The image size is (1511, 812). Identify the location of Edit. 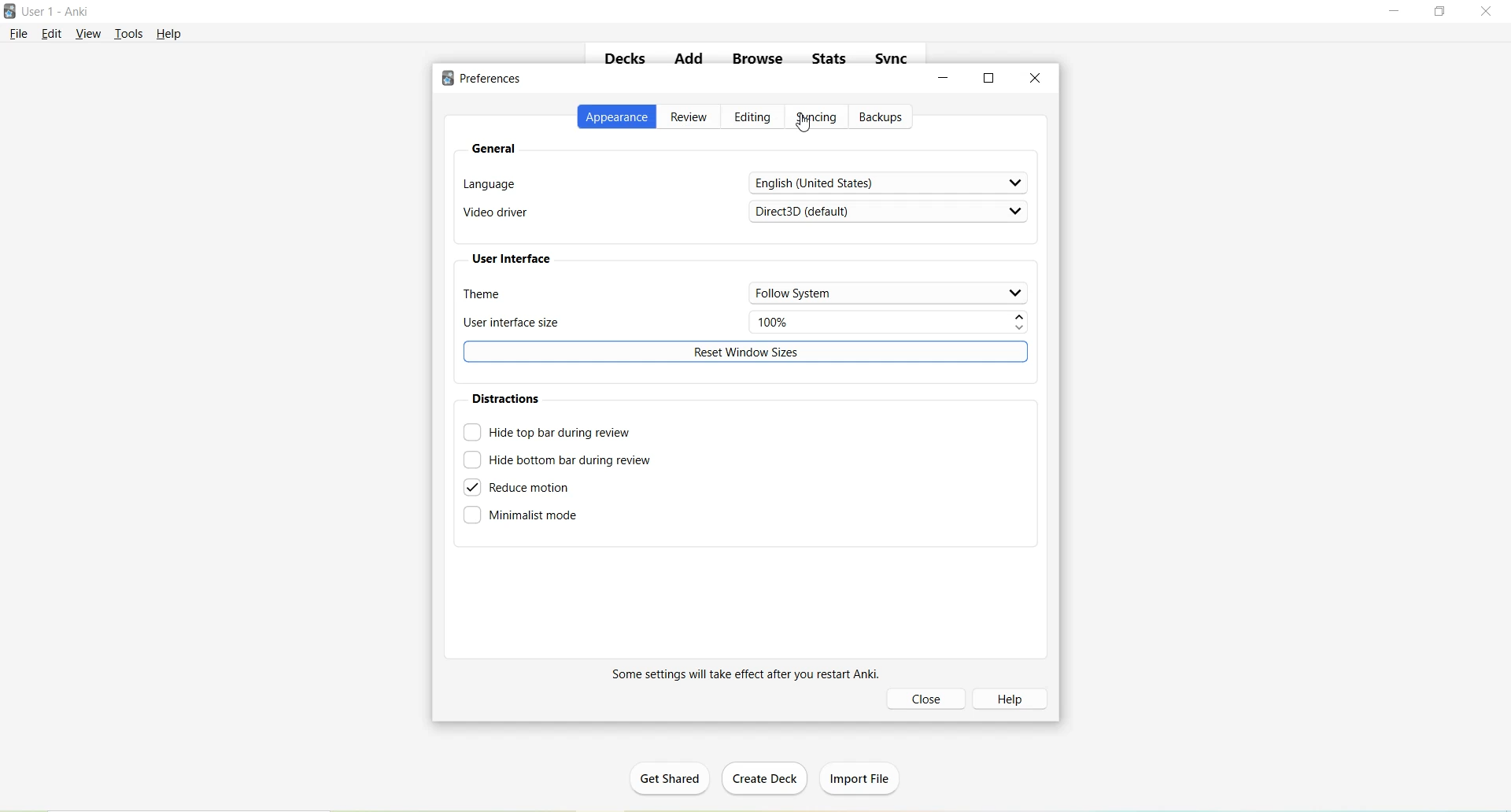
(54, 34).